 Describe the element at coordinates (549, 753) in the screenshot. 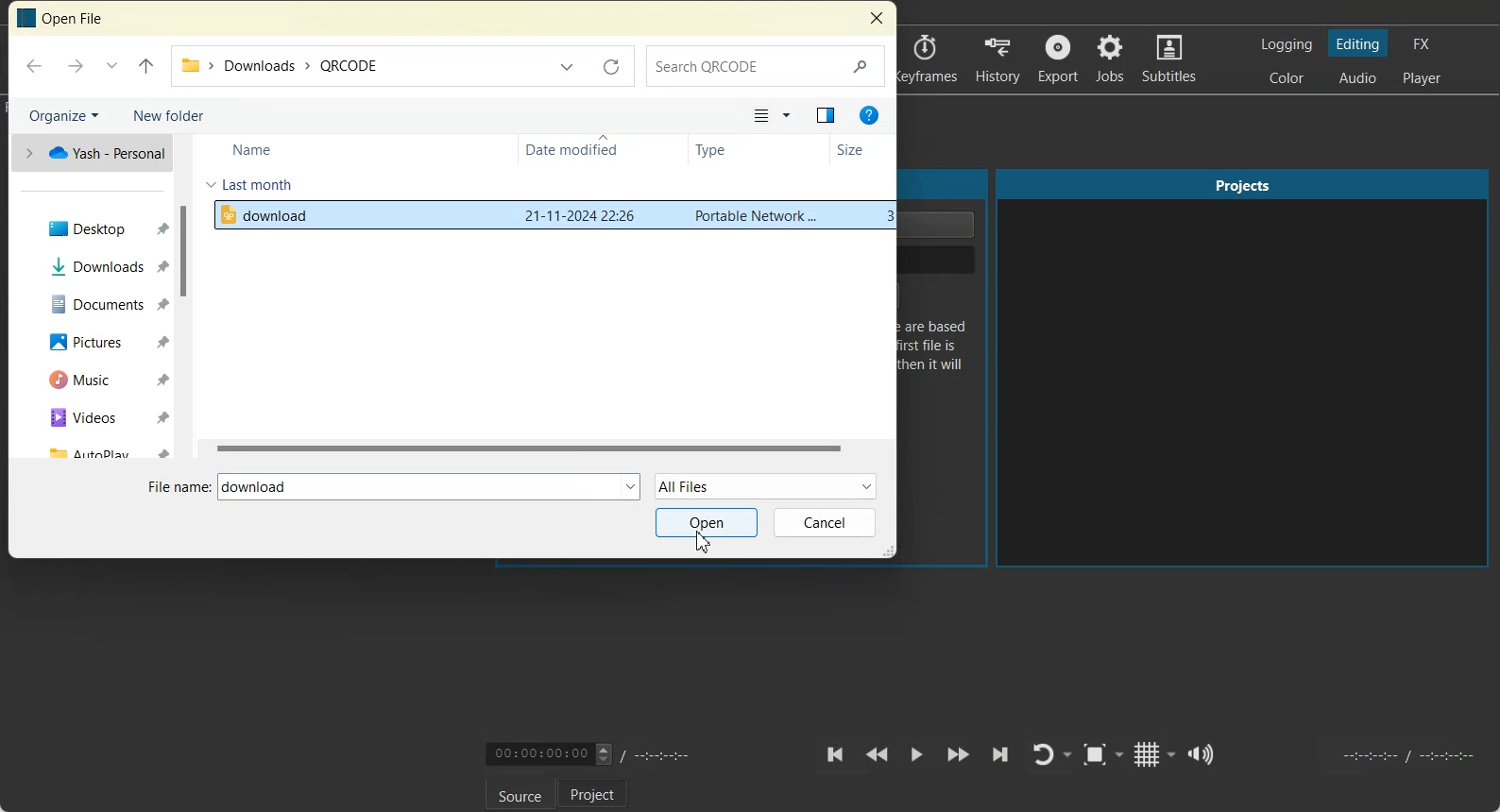

I see `Video Time Adjuster` at that location.